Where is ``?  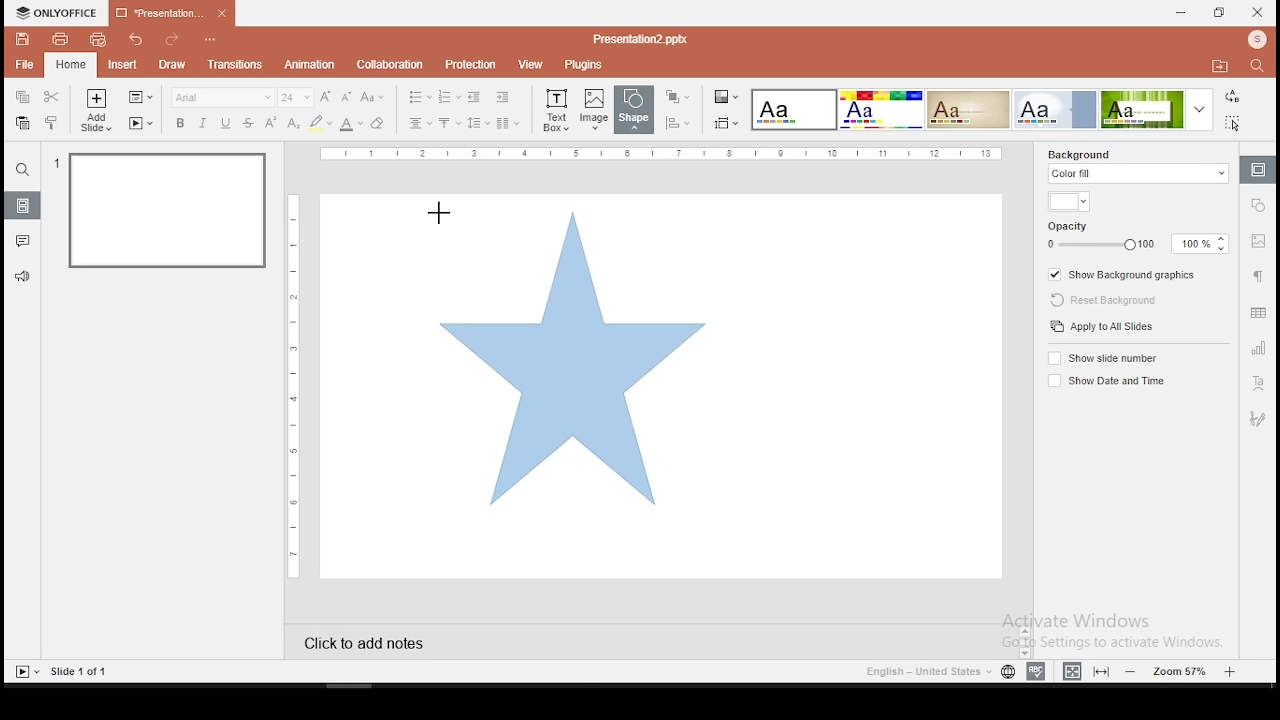
 is located at coordinates (23, 169).